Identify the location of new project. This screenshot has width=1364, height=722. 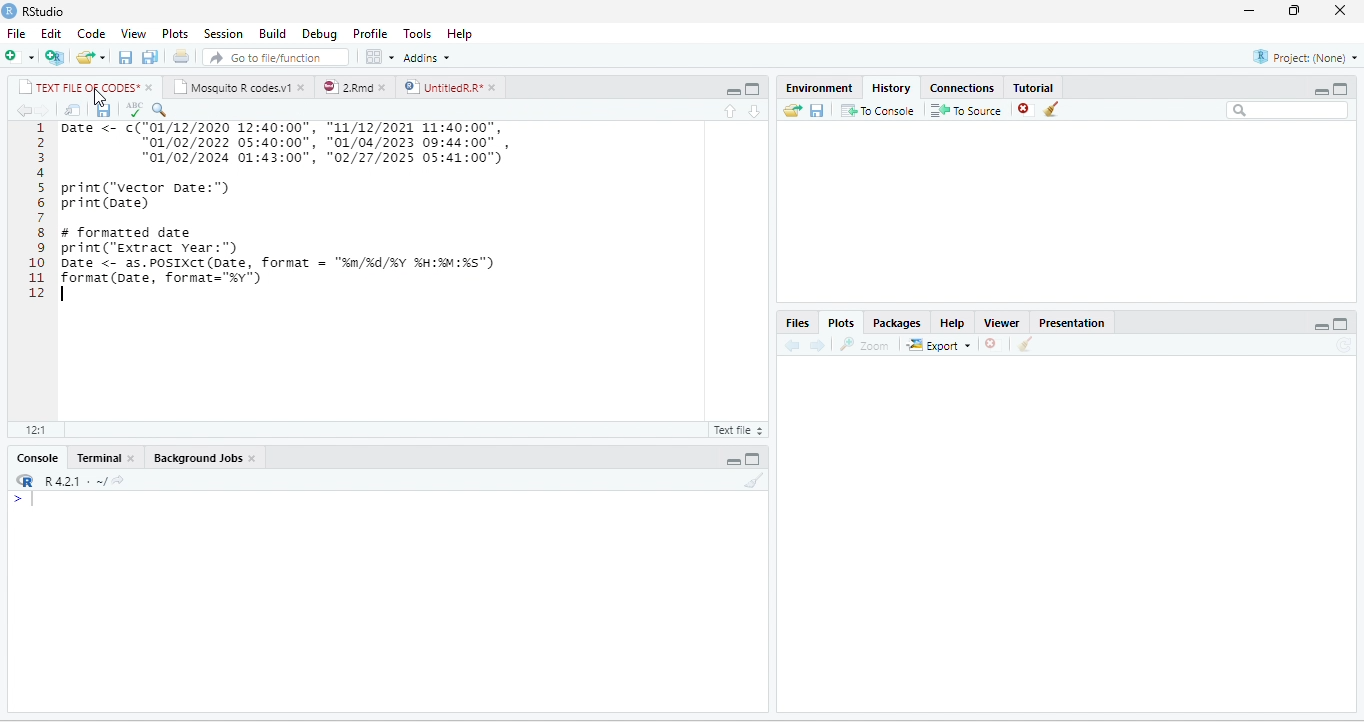
(55, 57).